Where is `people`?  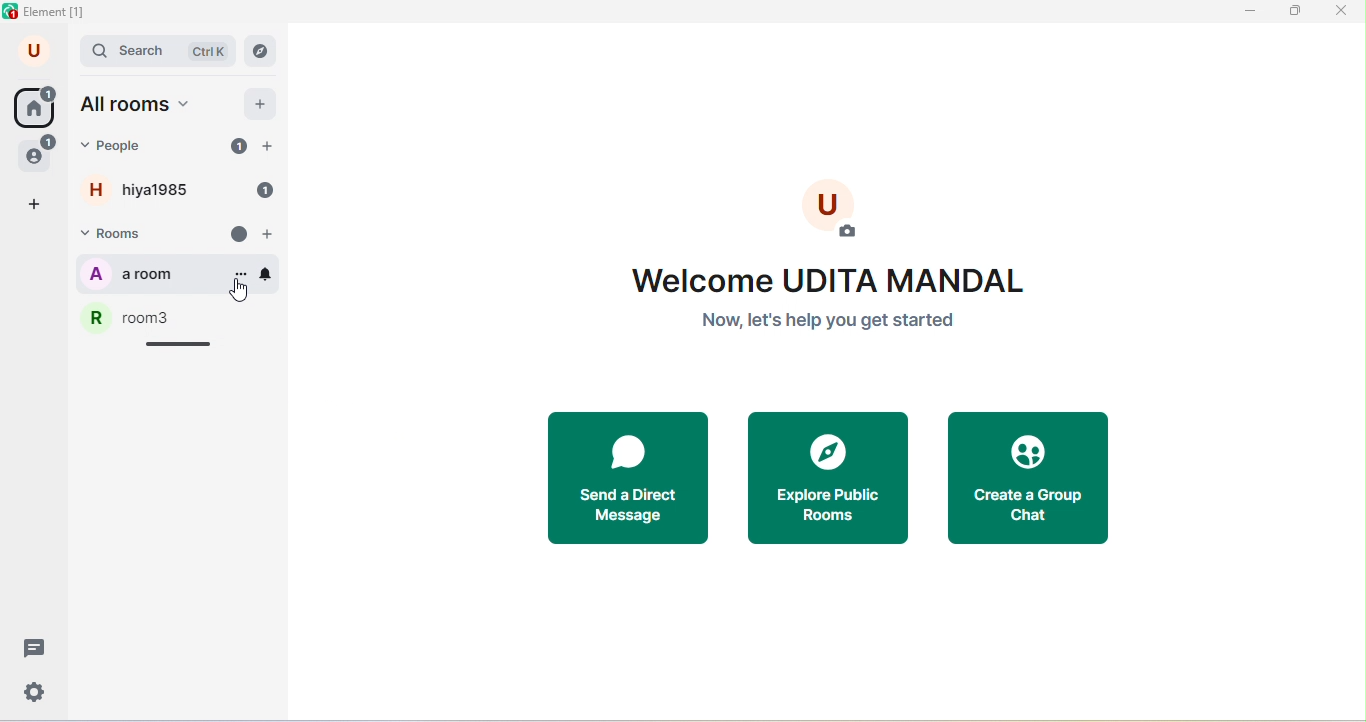 people is located at coordinates (120, 146).